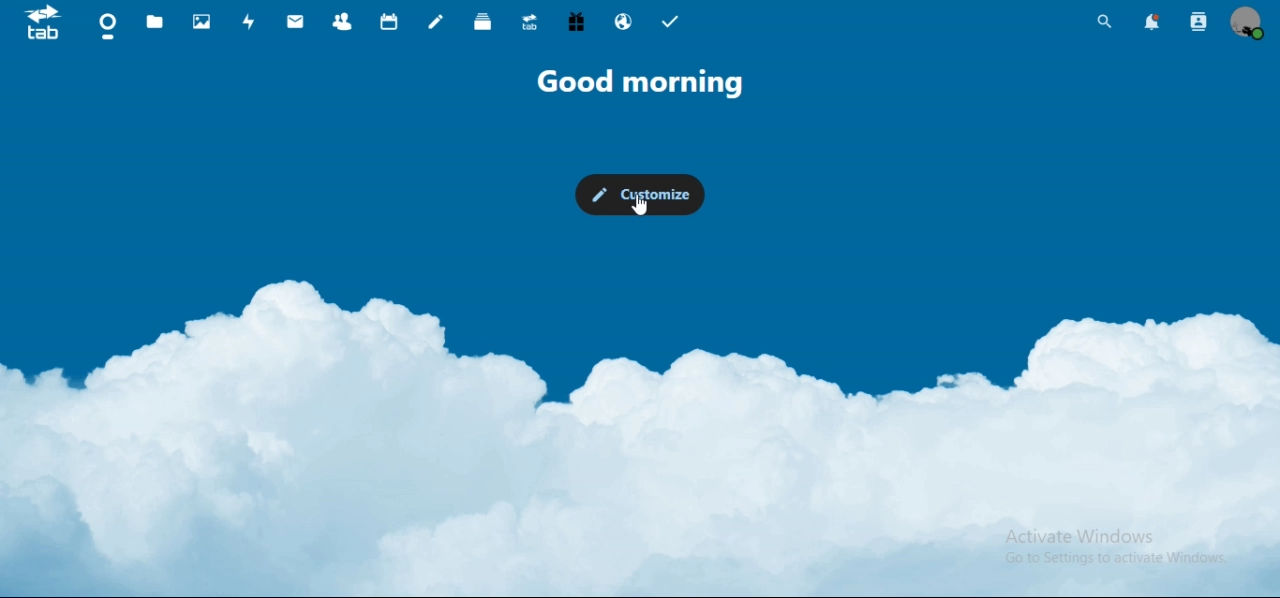 The height and width of the screenshot is (598, 1280). What do you see at coordinates (1149, 22) in the screenshot?
I see `notifications` at bounding box center [1149, 22].